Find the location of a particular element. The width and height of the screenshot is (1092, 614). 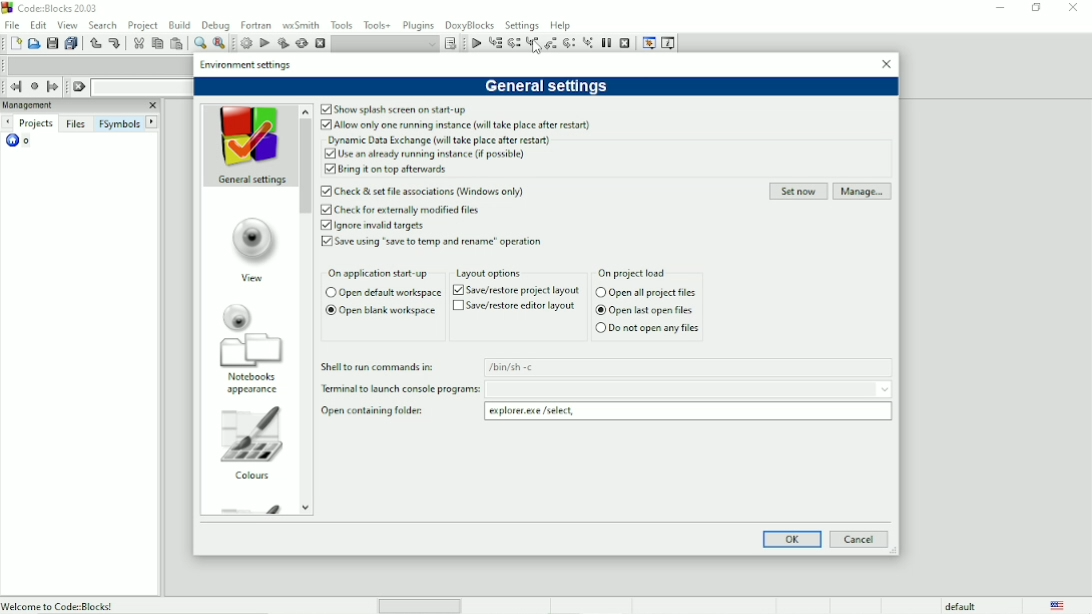

Abort is located at coordinates (319, 43).